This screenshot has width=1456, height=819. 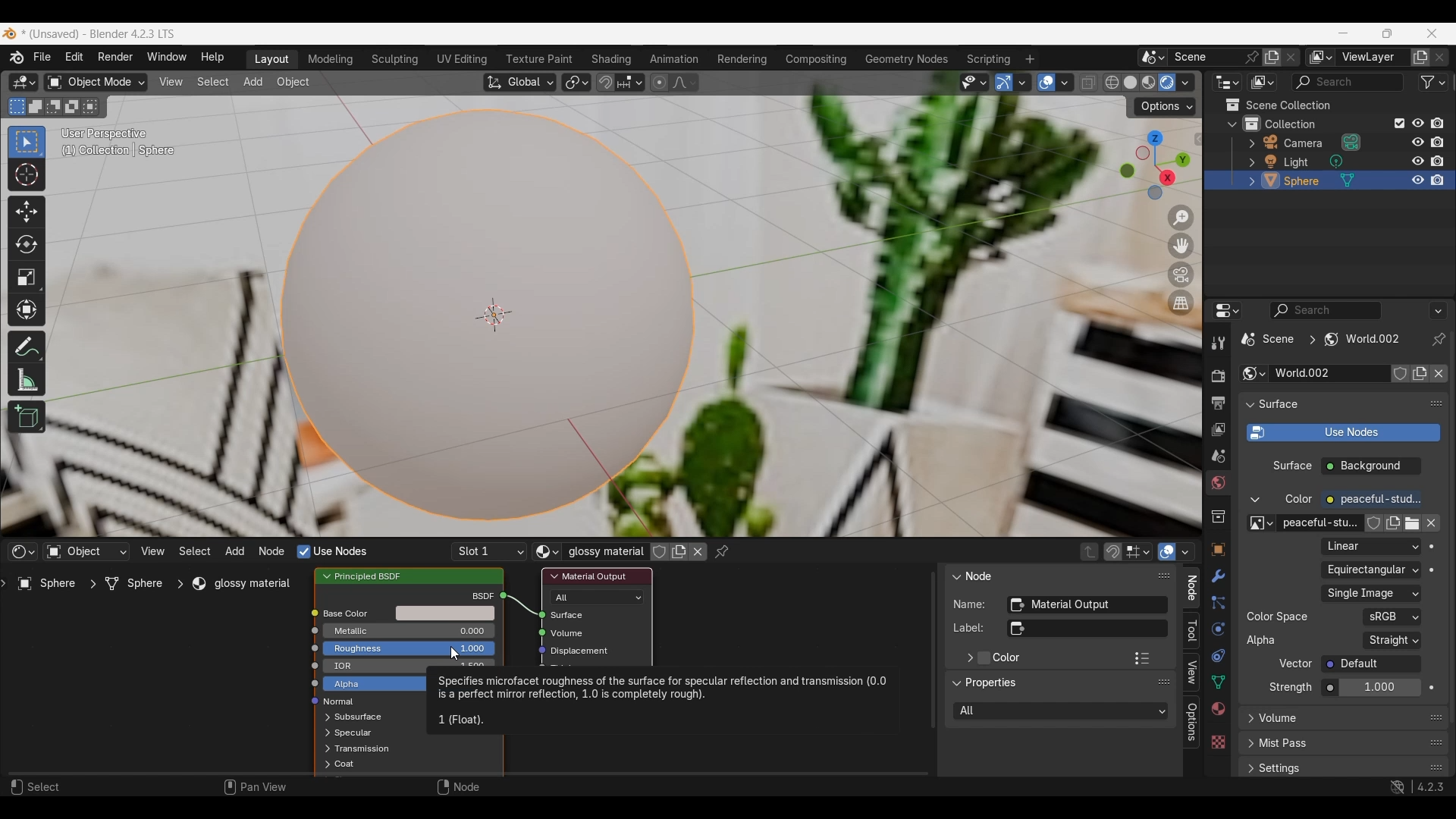 What do you see at coordinates (1372, 466) in the screenshot?
I see `Background checbox` at bounding box center [1372, 466].